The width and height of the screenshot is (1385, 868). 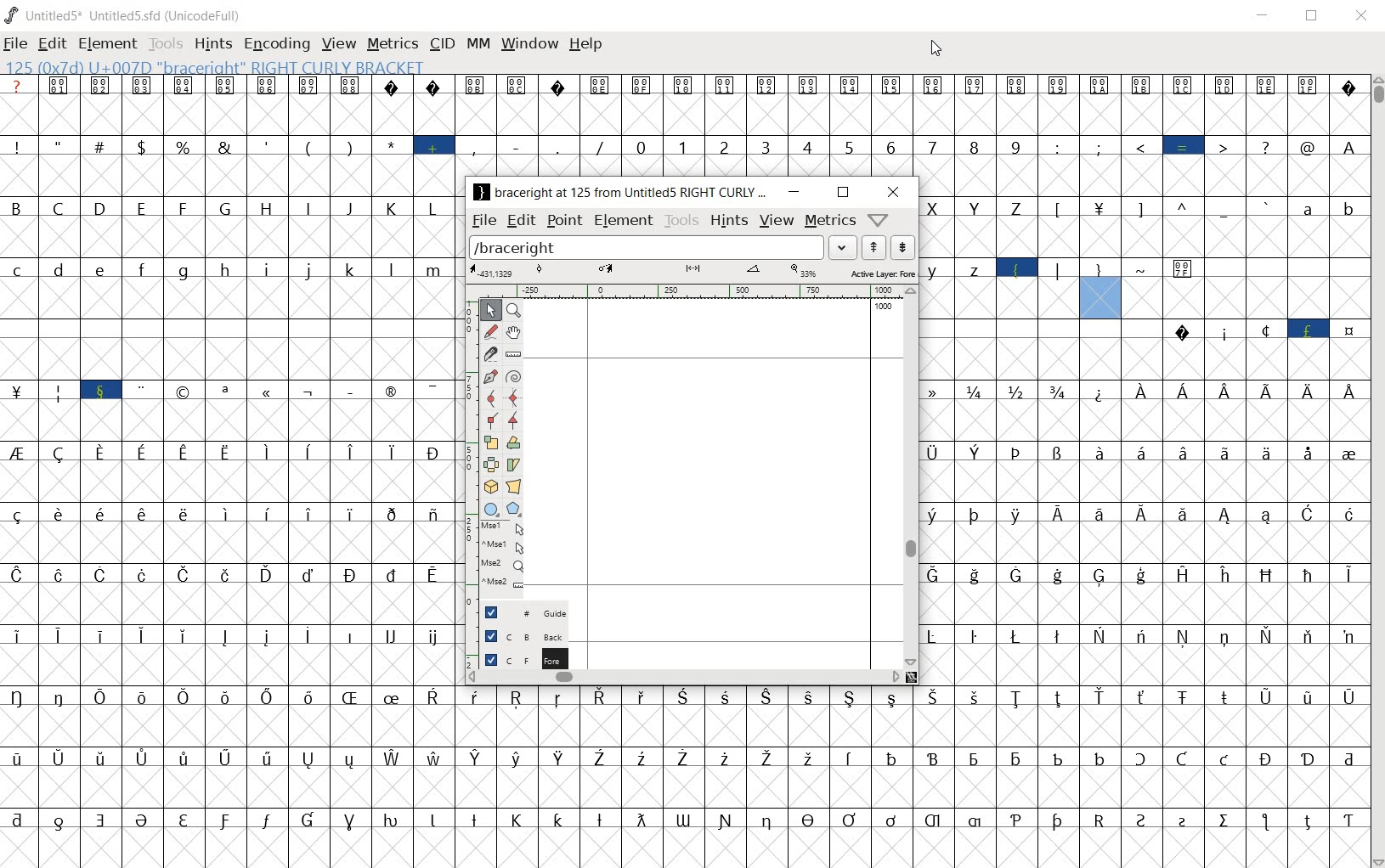 What do you see at coordinates (336, 42) in the screenshot?
I see `VIEW` at bounding box center [336, 42].